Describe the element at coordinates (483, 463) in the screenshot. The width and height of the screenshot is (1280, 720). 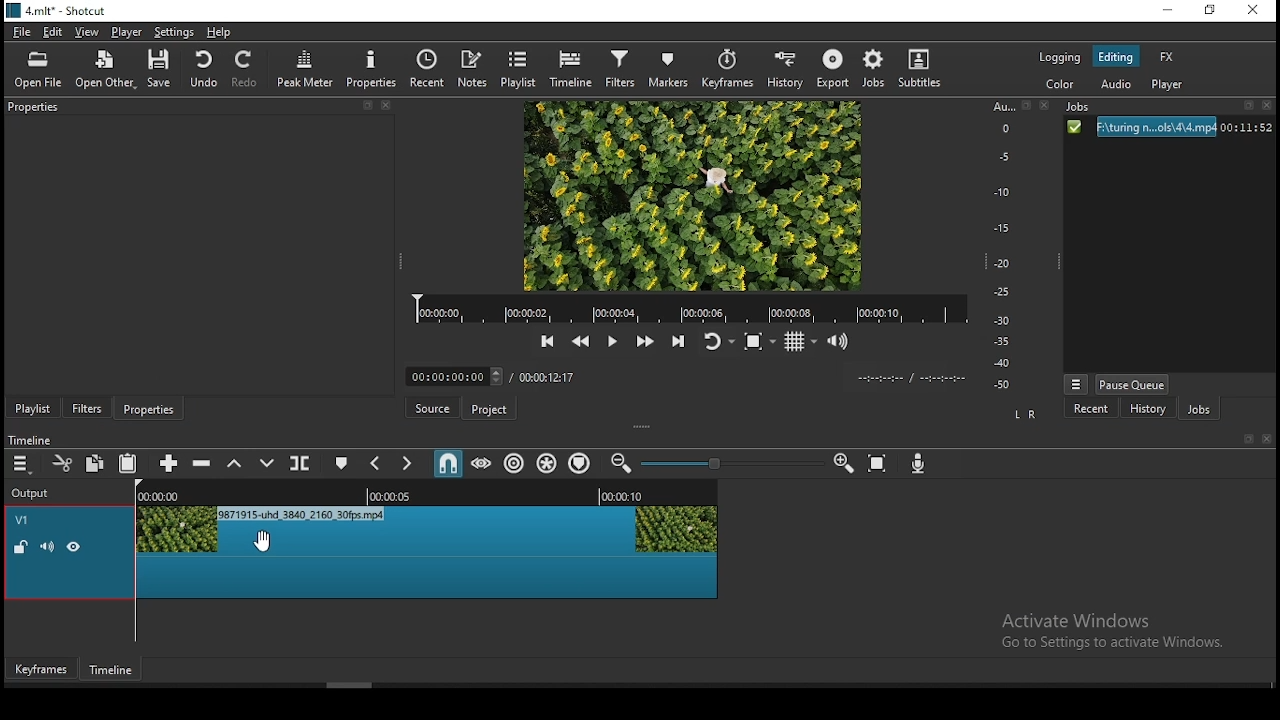
I see `scrub while dragging` at that location.